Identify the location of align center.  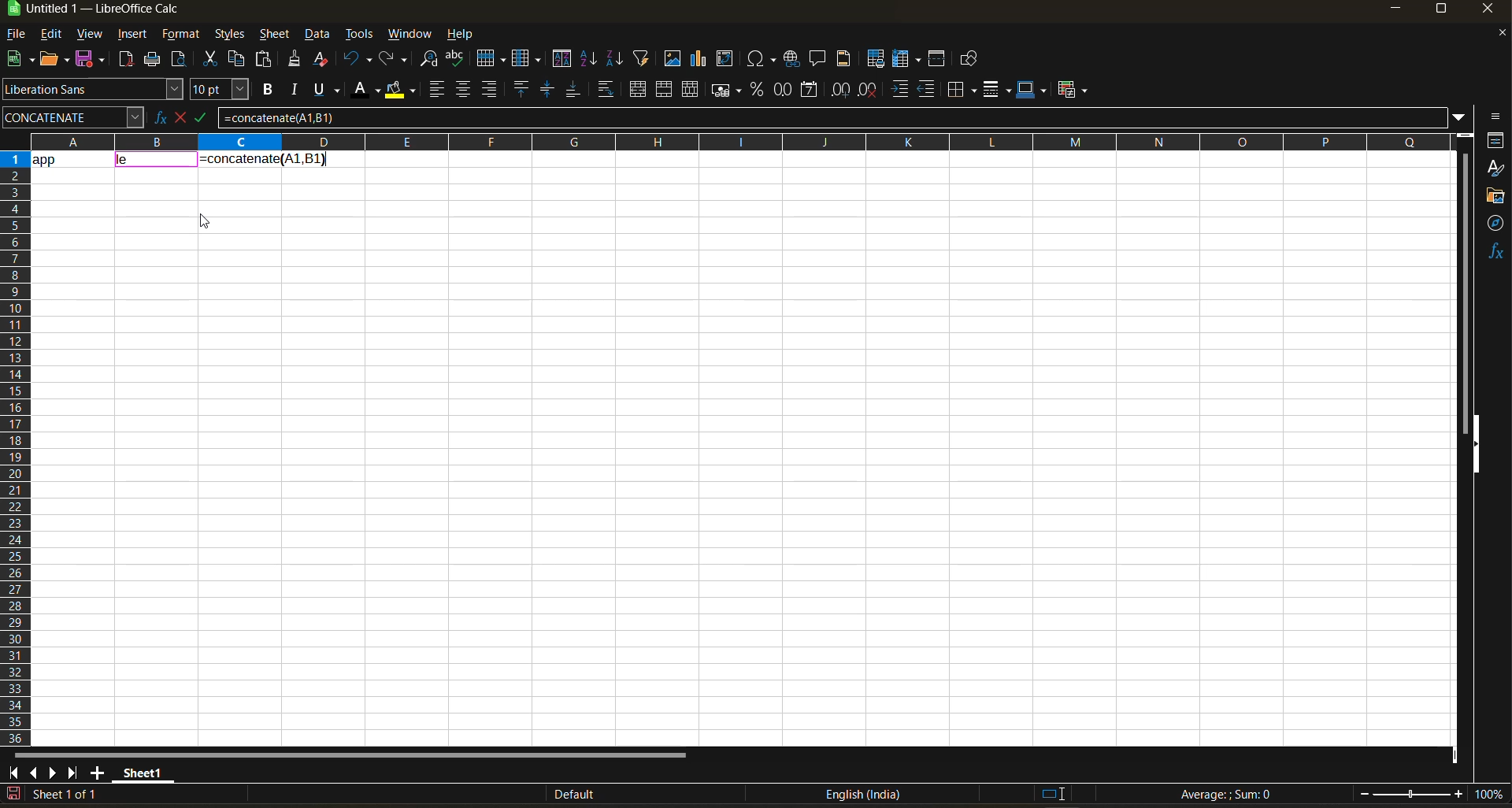
(463, 89).